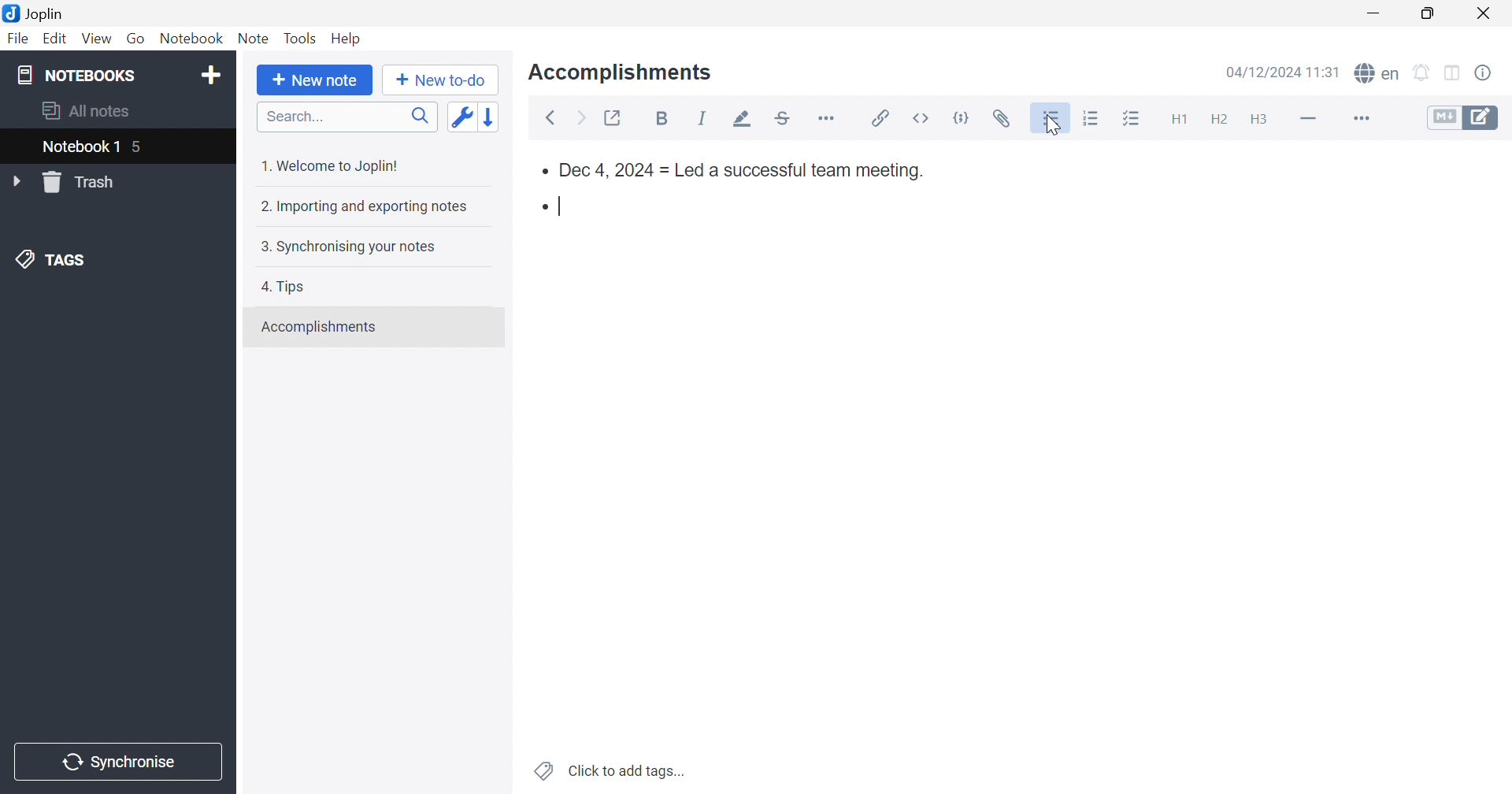 Image resolution: width=1512 pixels, height=794 pixels. What do you see at coordinates (746, 119) in the screenshot?
I see `Highlight` at bounding box center [746, 119].